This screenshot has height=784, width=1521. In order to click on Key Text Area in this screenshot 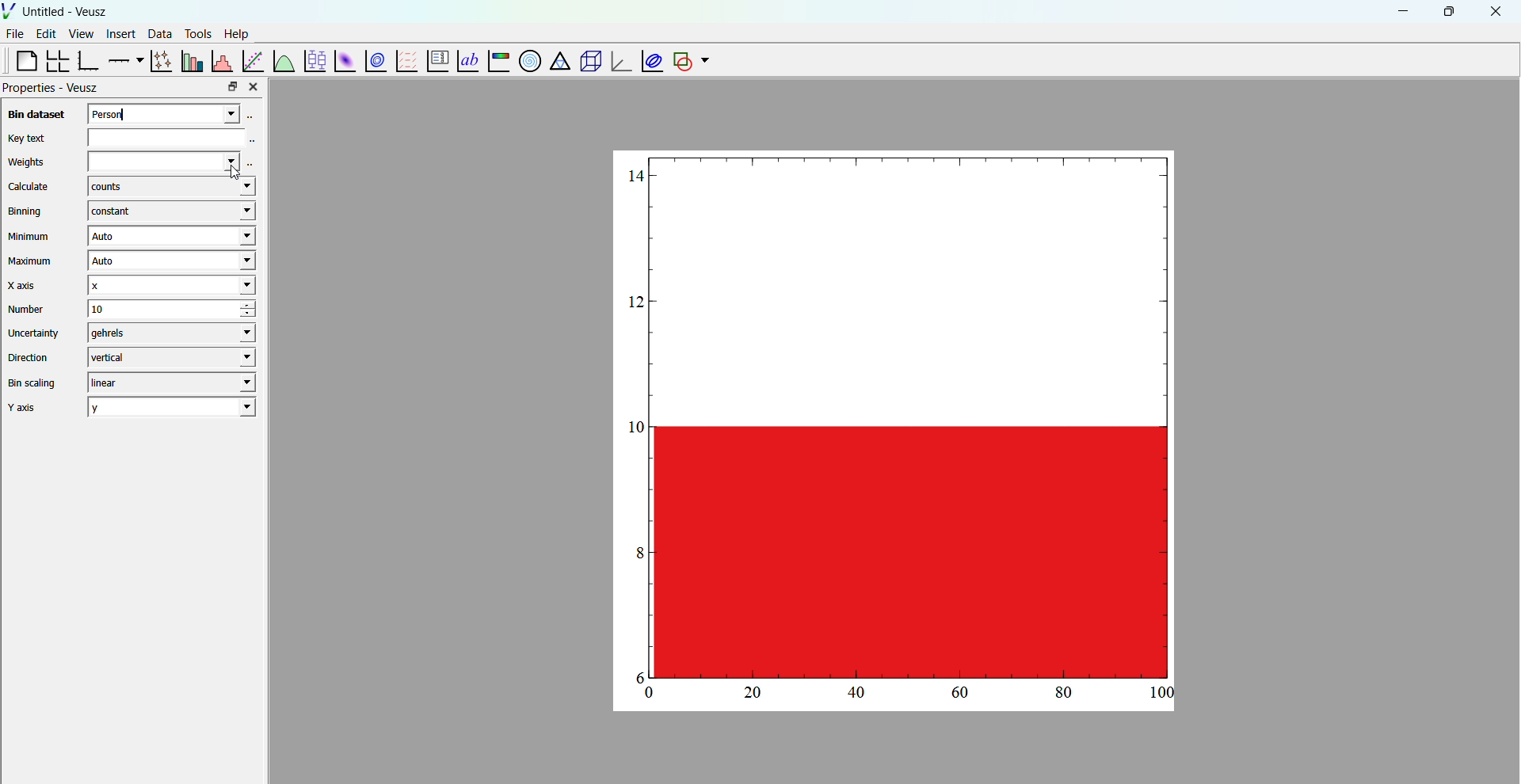, I will do `click(175, 136)`.